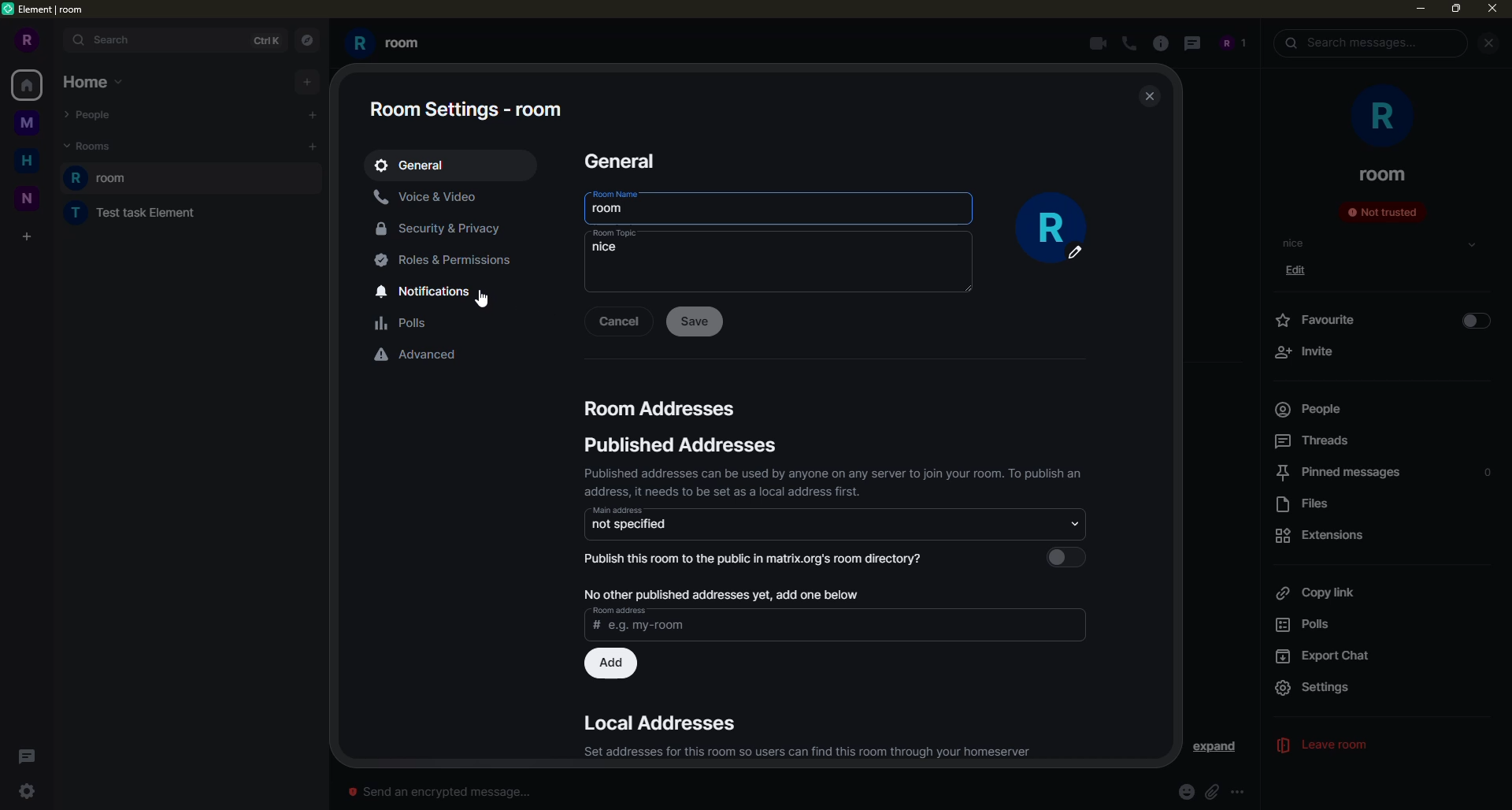 This screenshot has width=1512, height=810. What do you see at coordinates (739, 628) in the screenshot?
I see `eg` at bounding box center [739, 628].